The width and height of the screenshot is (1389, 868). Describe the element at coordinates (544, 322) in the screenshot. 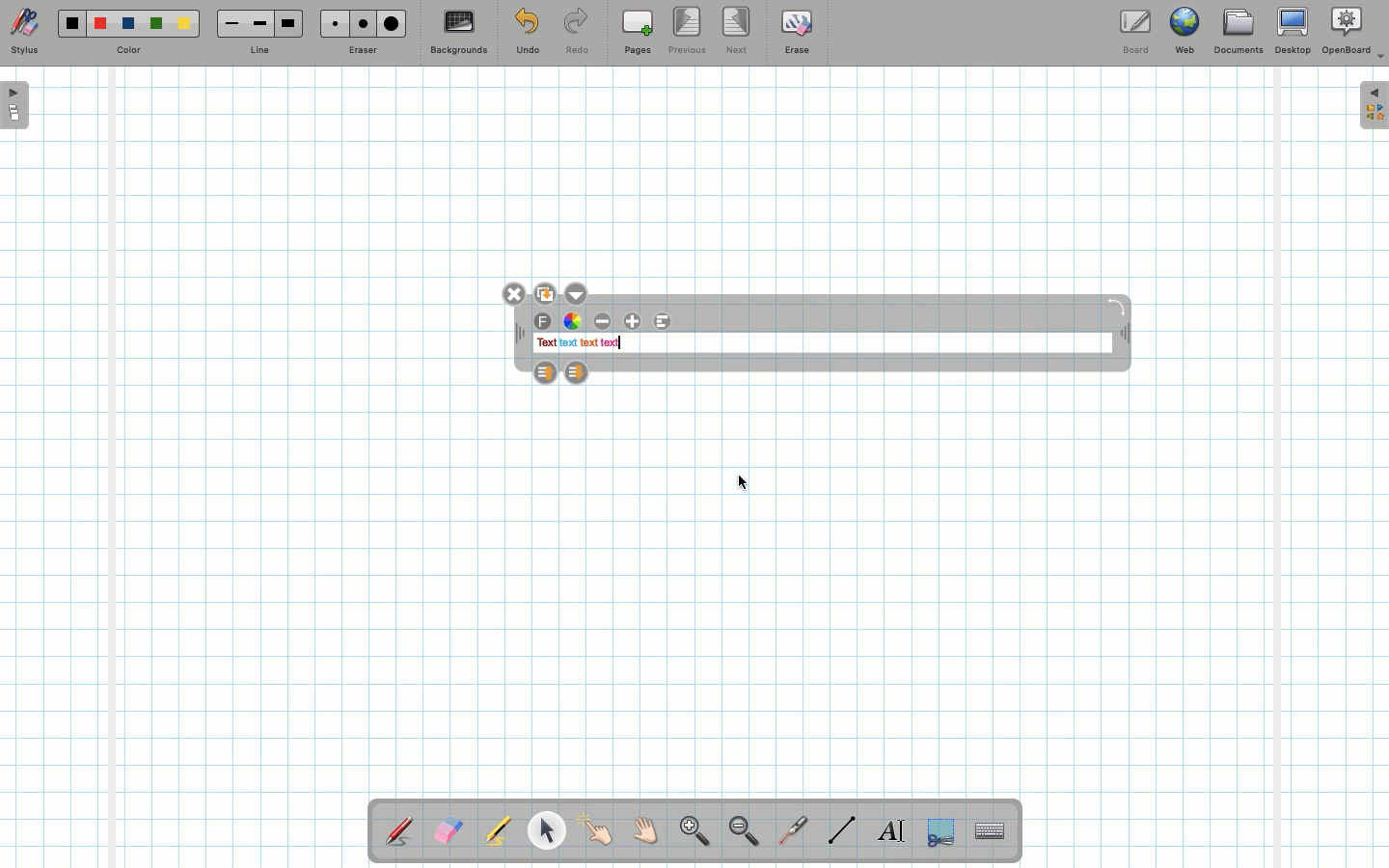

I see `Font` at that location.